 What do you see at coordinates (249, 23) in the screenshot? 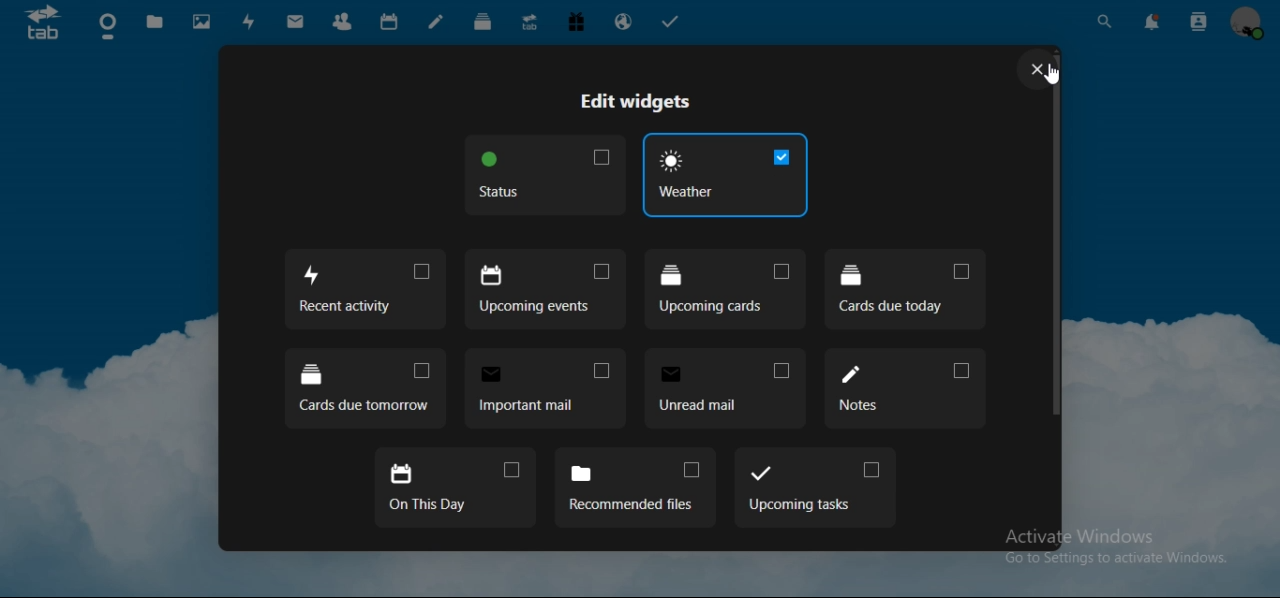
I see `activity` at bounding box center [249, 23].